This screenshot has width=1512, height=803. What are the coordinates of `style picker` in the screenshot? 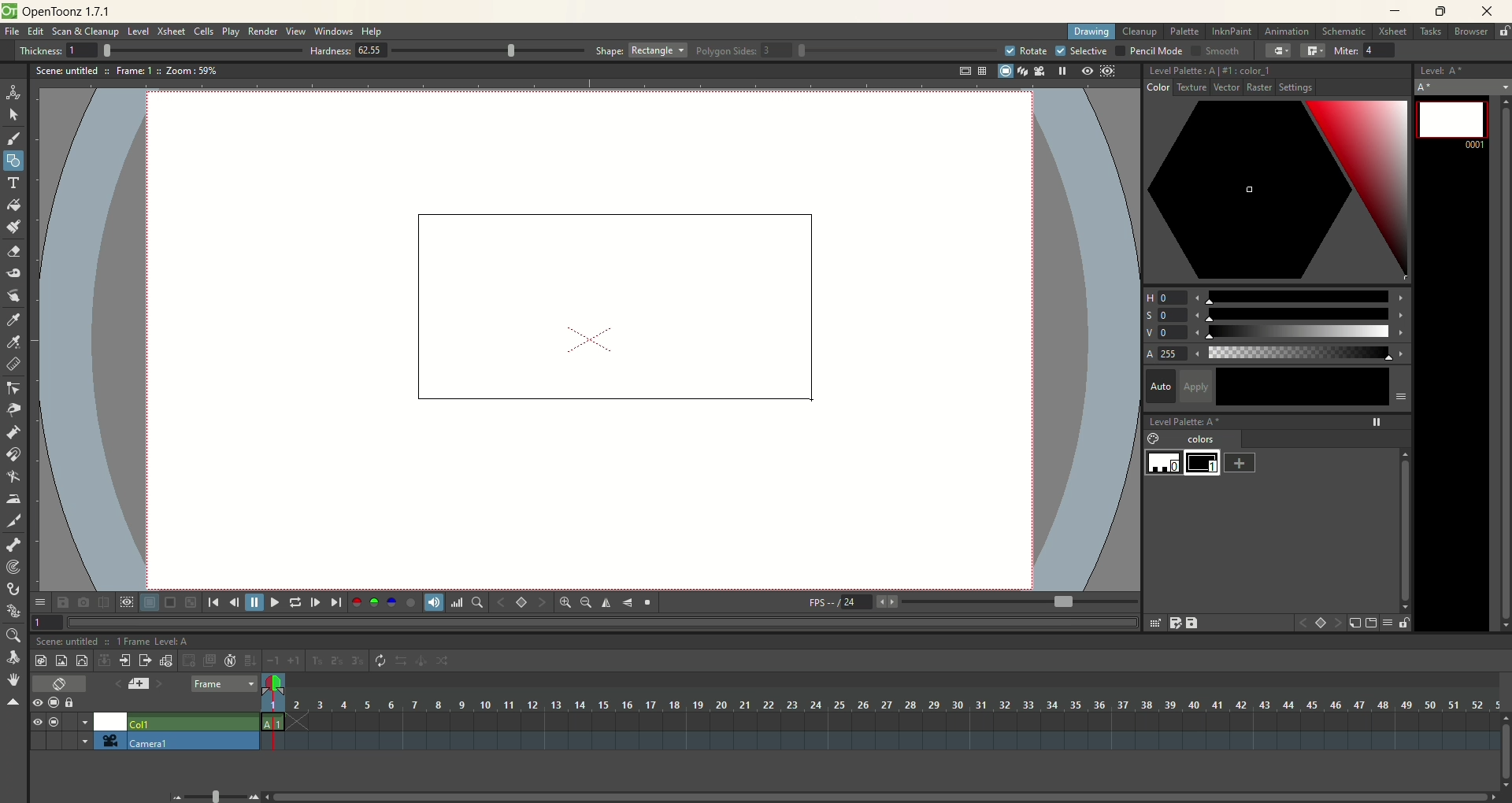 It's located at (17, 320).